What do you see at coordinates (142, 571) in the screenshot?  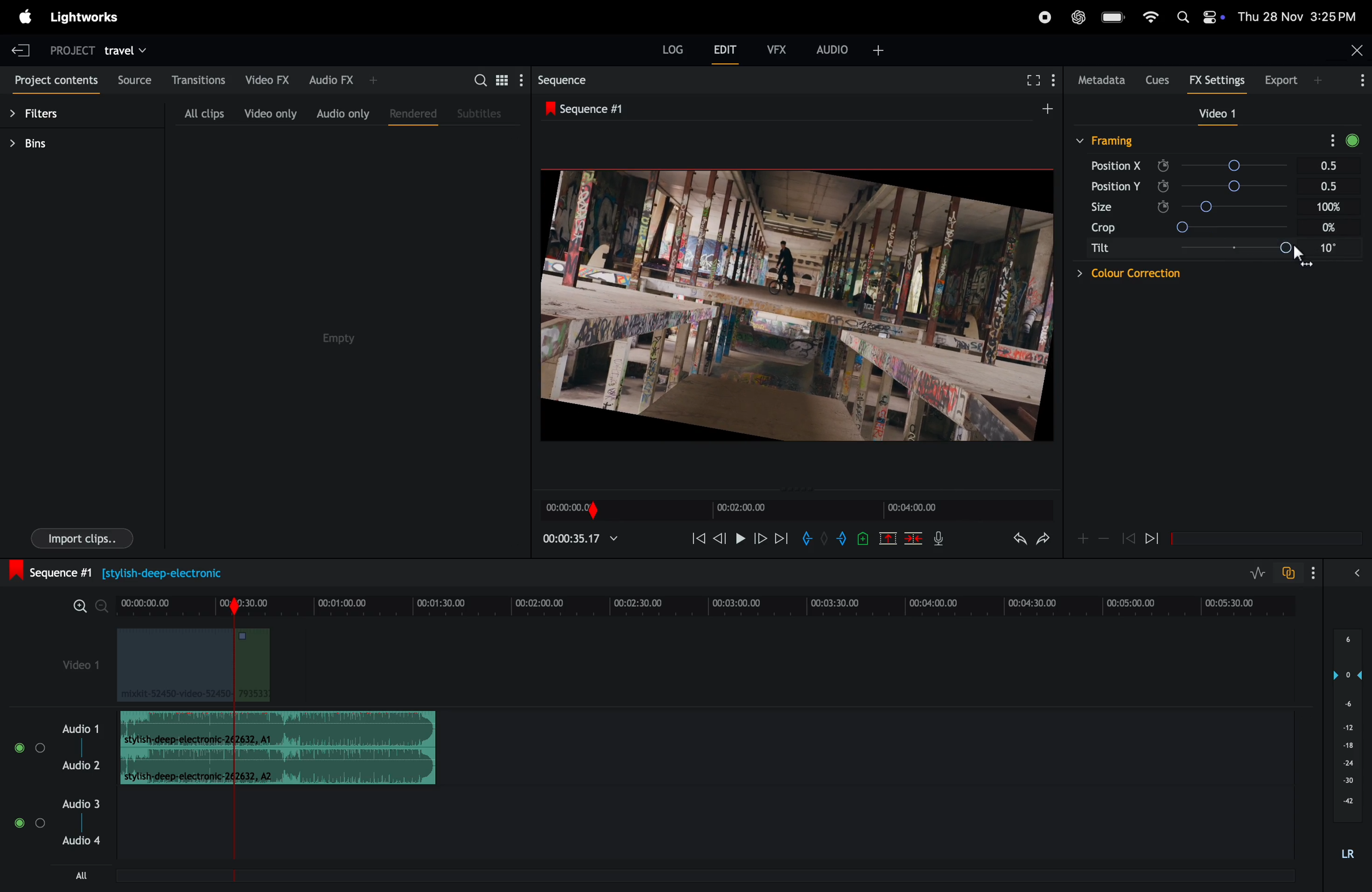 I see `sequence 1` at bounding box center [142, 571].